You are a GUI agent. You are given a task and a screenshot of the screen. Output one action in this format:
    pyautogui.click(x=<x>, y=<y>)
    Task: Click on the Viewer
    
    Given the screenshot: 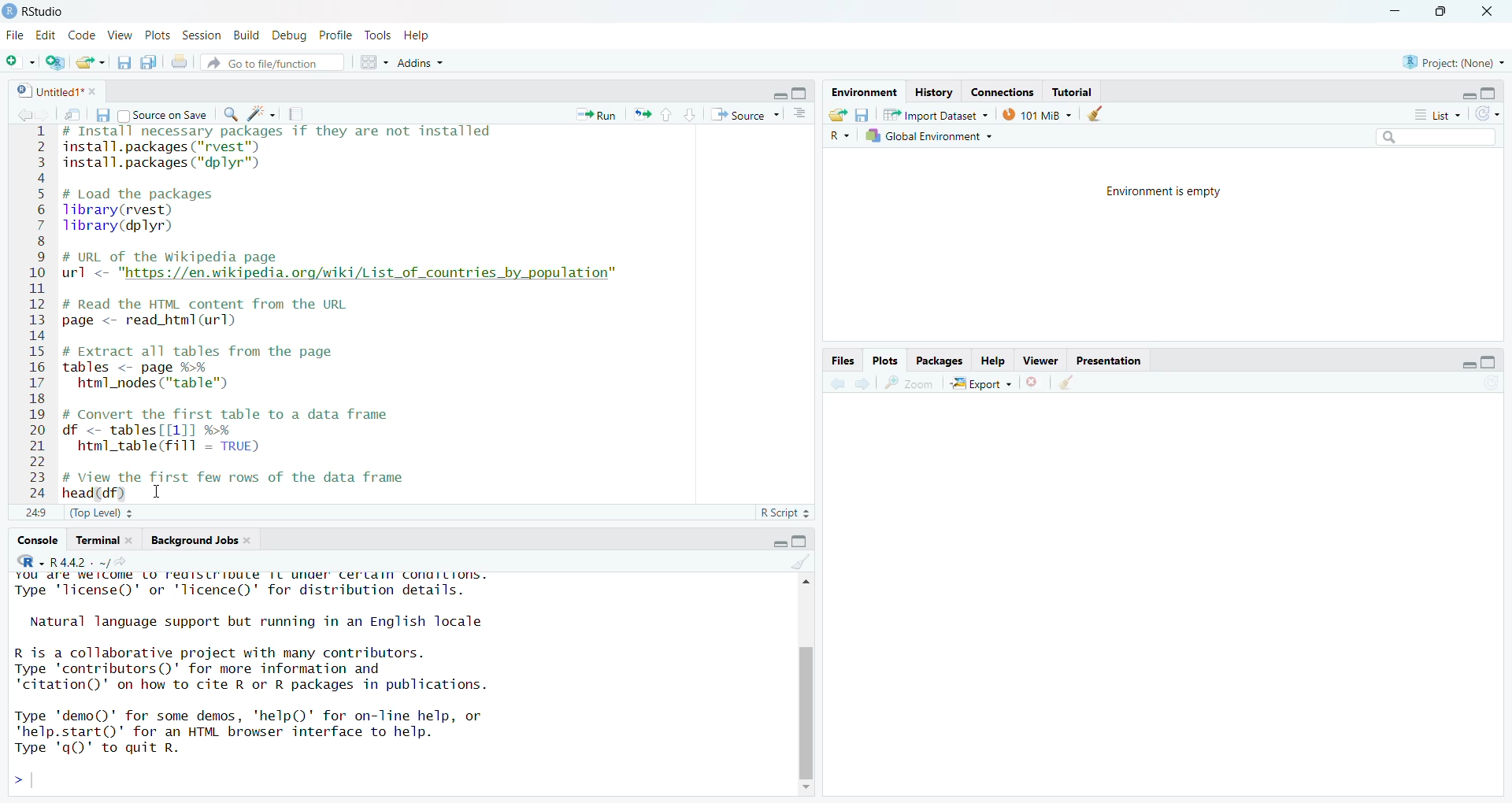 What is the action you would take?
    pyautogui.click(x=1041, y=360)
    